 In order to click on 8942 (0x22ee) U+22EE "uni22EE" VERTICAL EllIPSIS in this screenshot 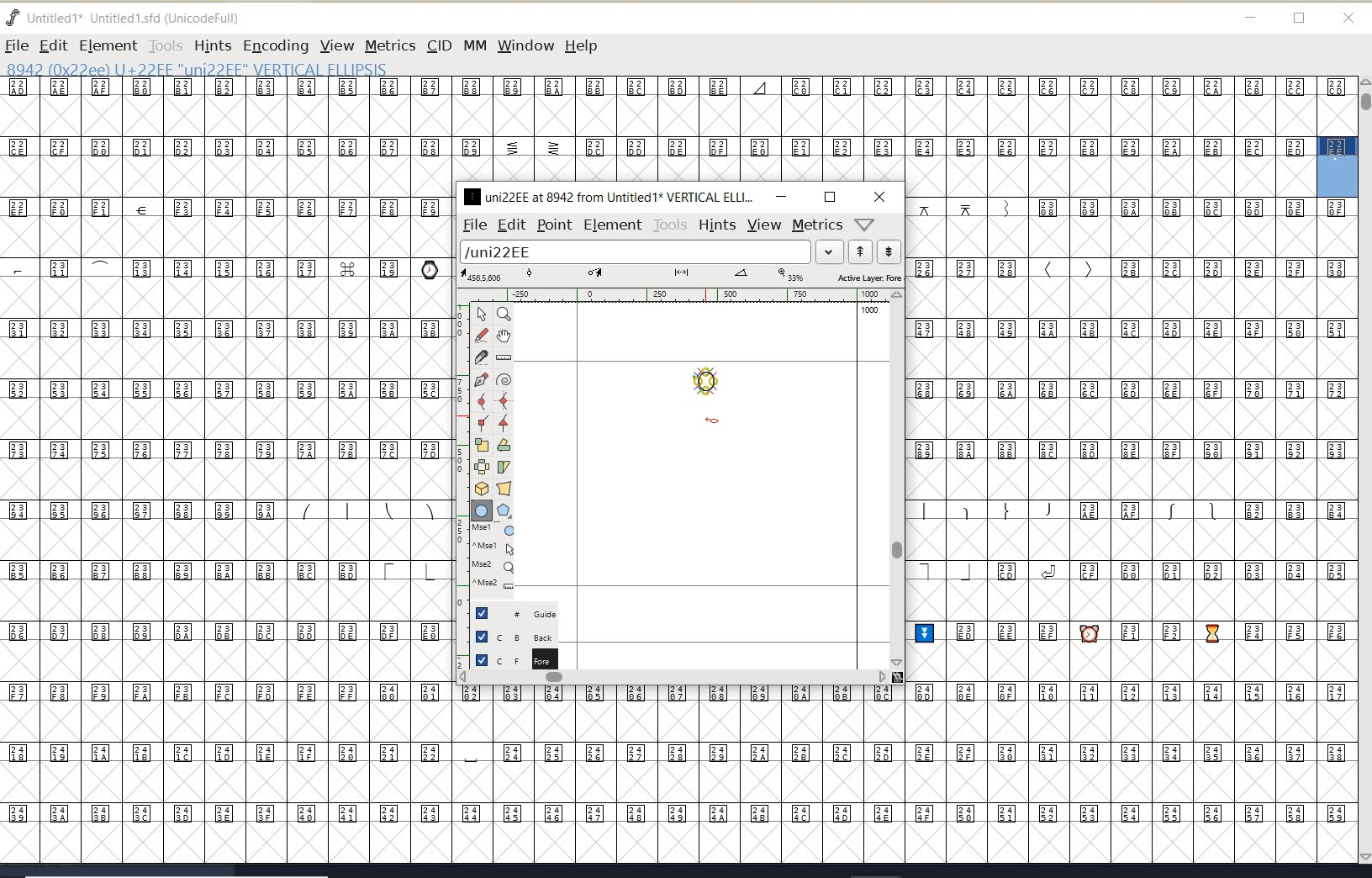, I will do `click(252, 68)`.